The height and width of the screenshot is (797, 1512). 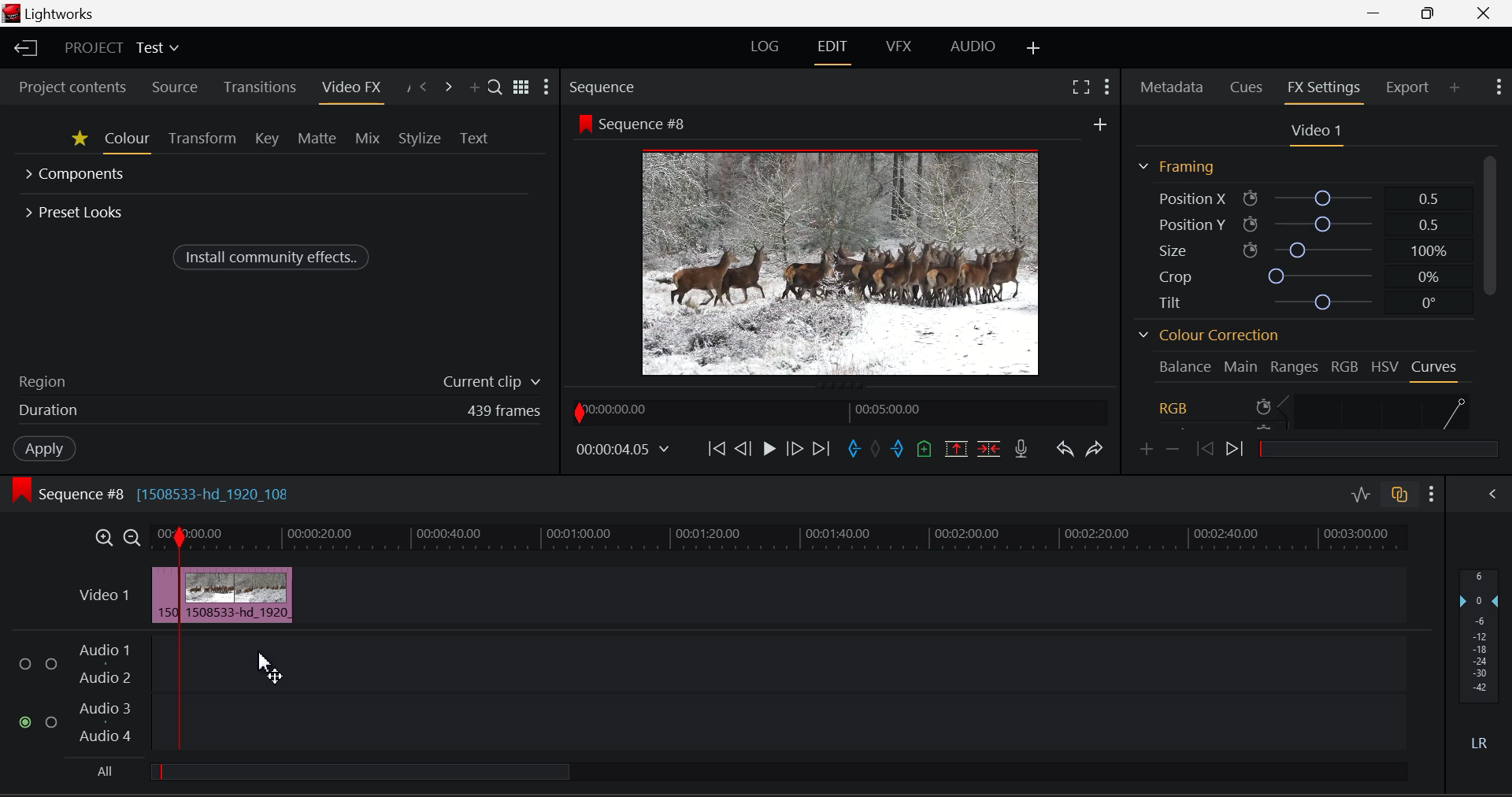 I want to click on RGB, so click(x=1345, y=365).